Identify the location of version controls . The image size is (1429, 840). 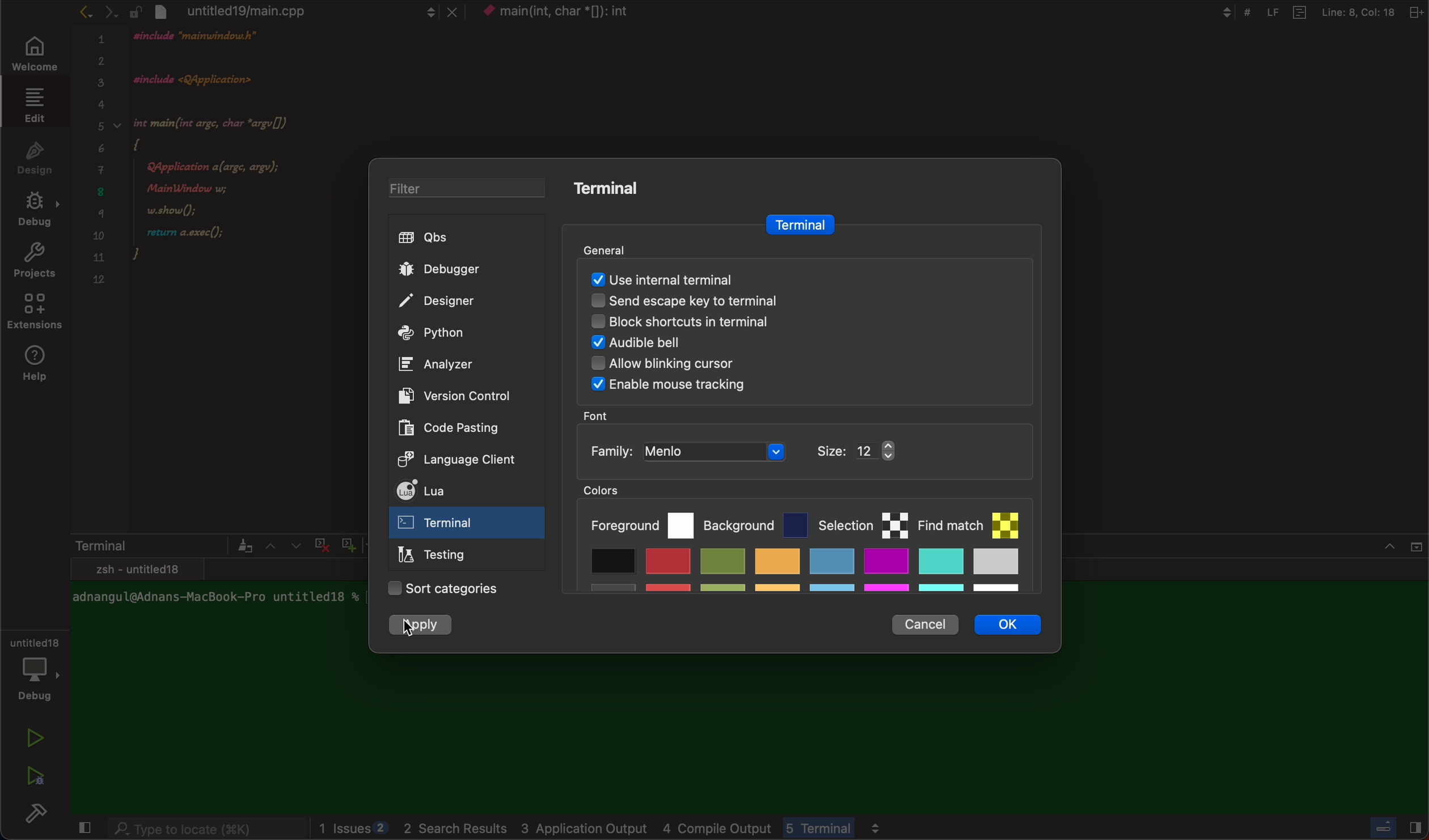
(450, 395).